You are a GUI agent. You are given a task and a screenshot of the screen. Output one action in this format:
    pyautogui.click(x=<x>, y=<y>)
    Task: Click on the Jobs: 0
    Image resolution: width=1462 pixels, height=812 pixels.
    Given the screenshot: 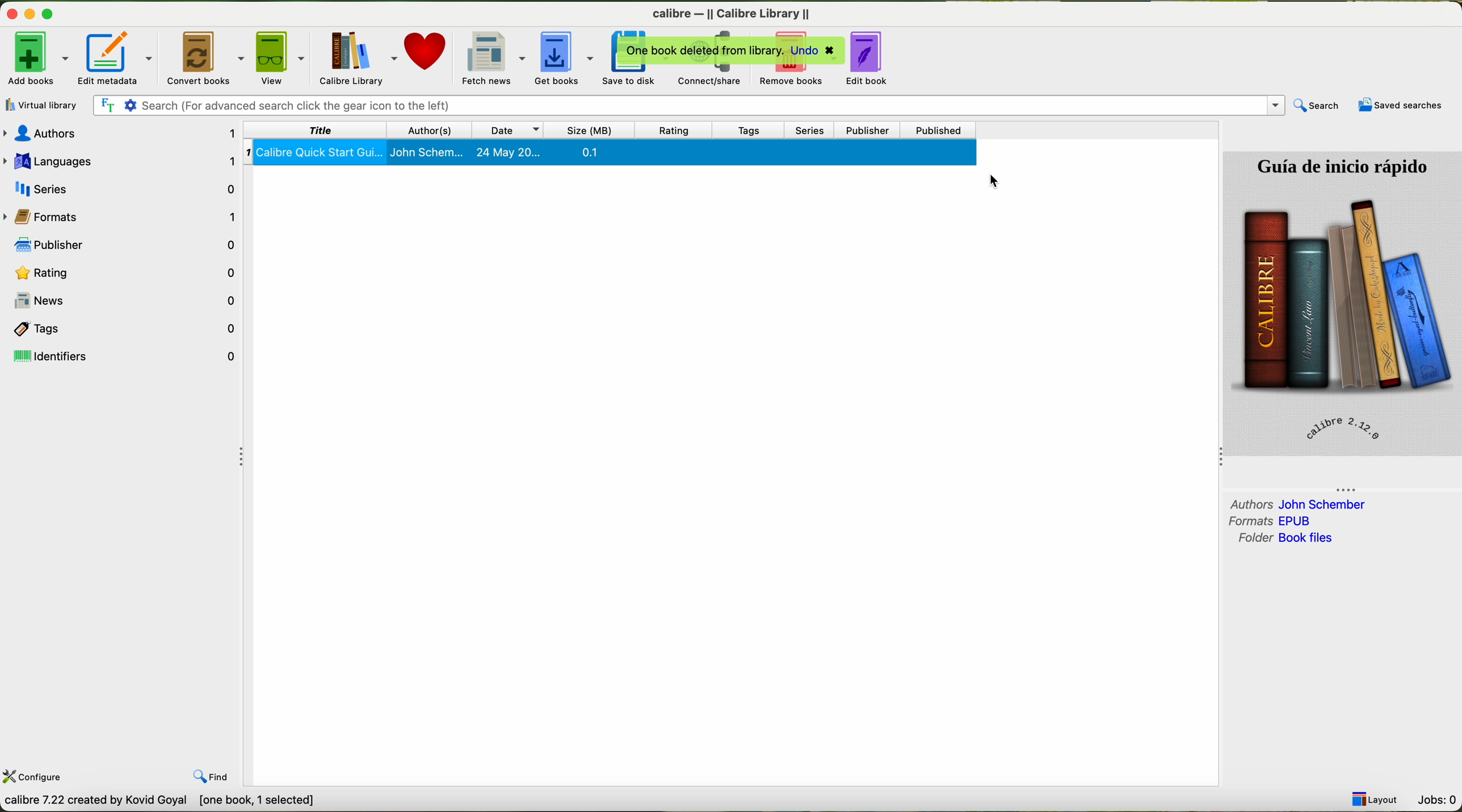 What is the action you would take?
    pyautogui.click(x=1439, y=800)
    